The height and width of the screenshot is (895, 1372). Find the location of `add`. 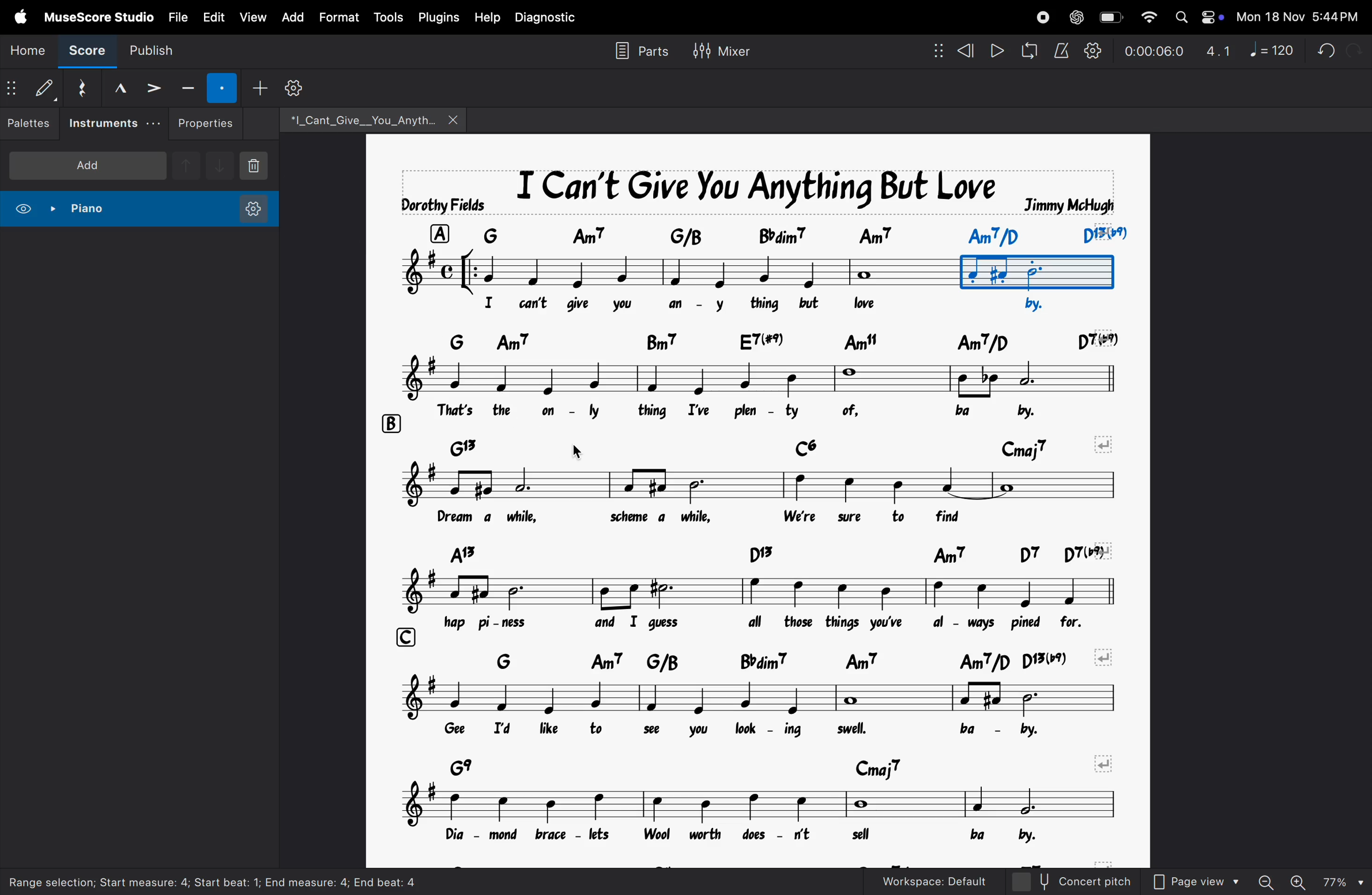

add is located at coordinates (295, 17).